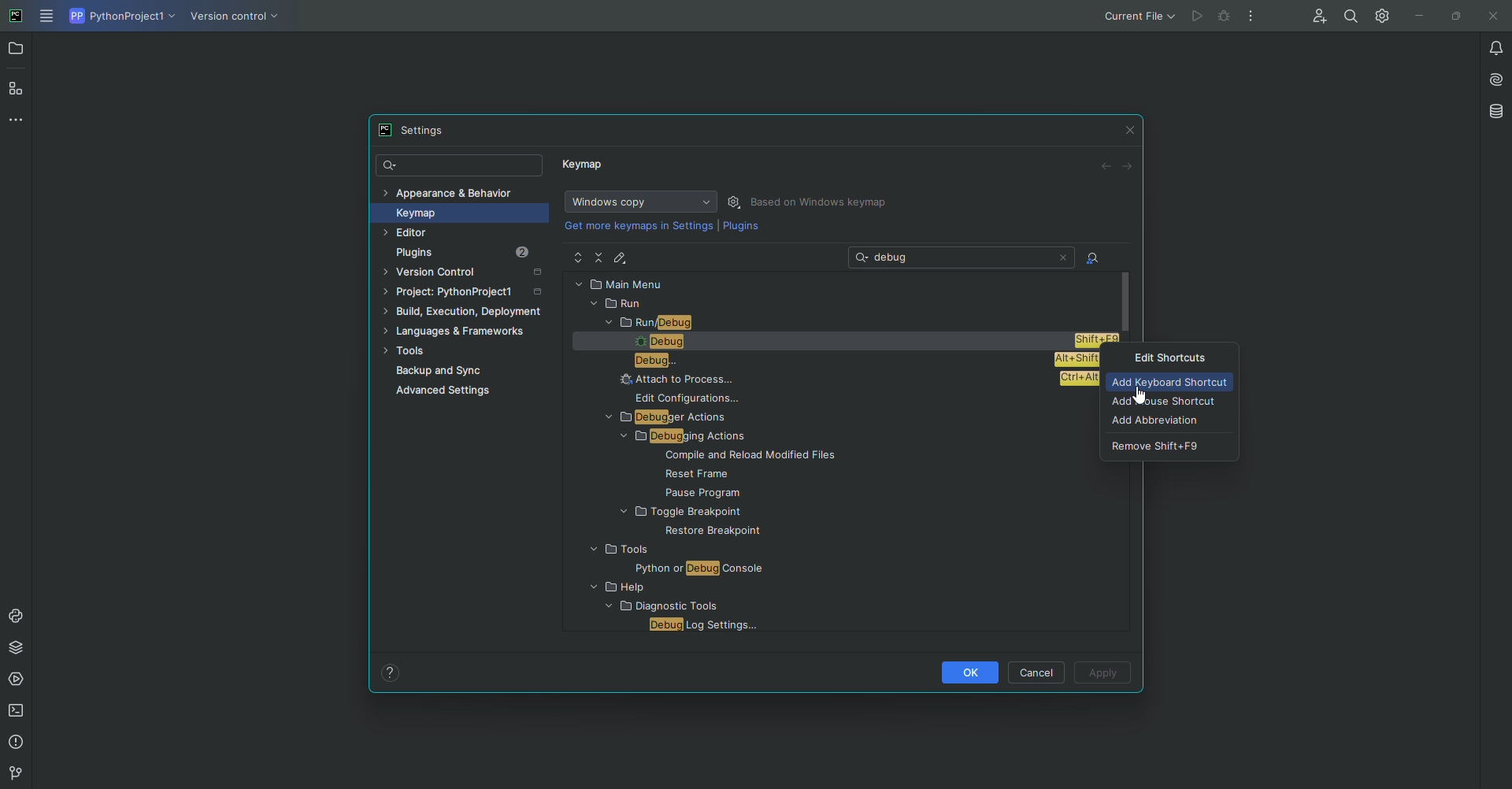  I want to click on OK, so click(968, 672).